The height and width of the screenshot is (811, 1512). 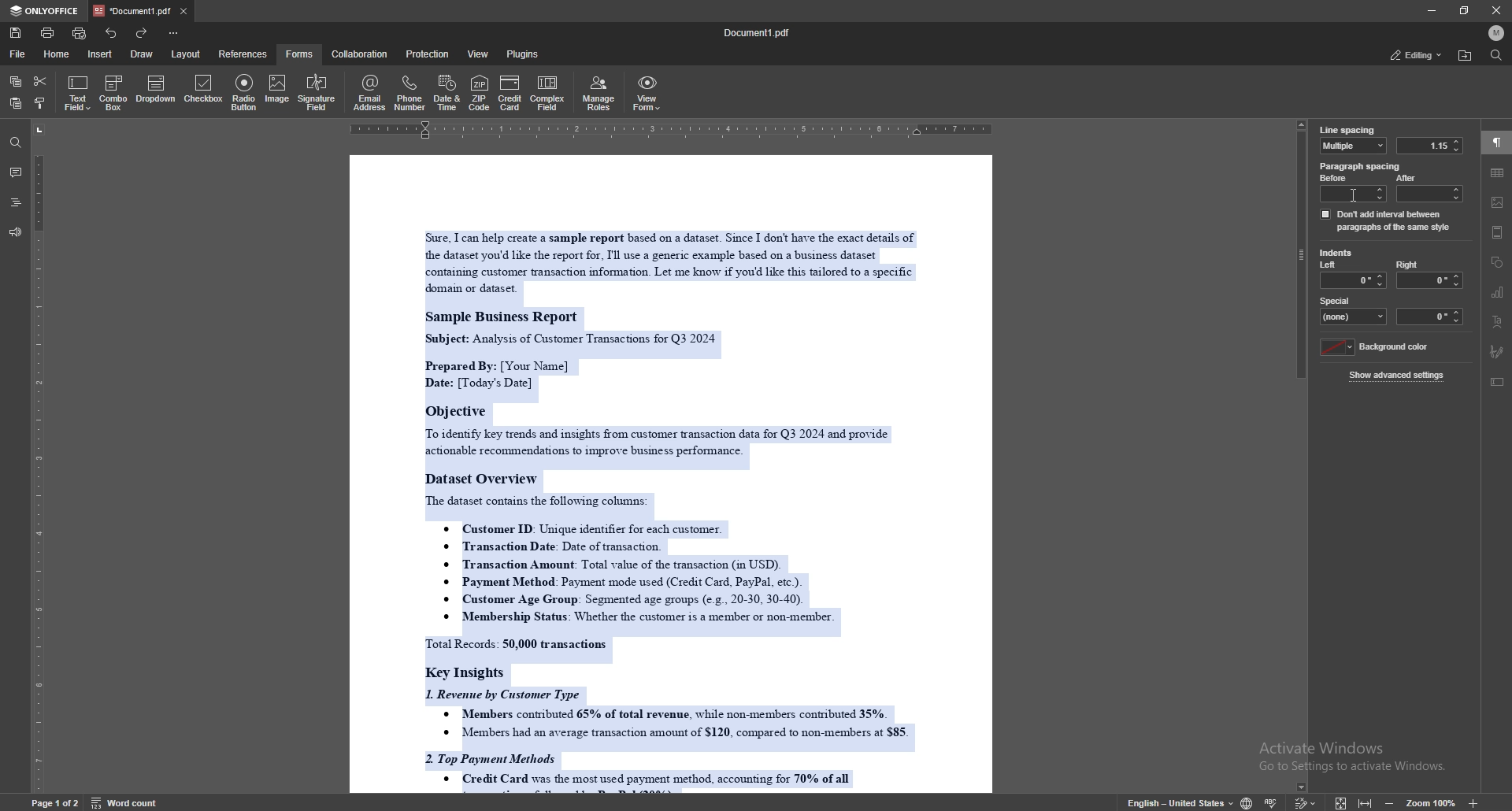 I want to click on resize, so click(x=1465, y=10).